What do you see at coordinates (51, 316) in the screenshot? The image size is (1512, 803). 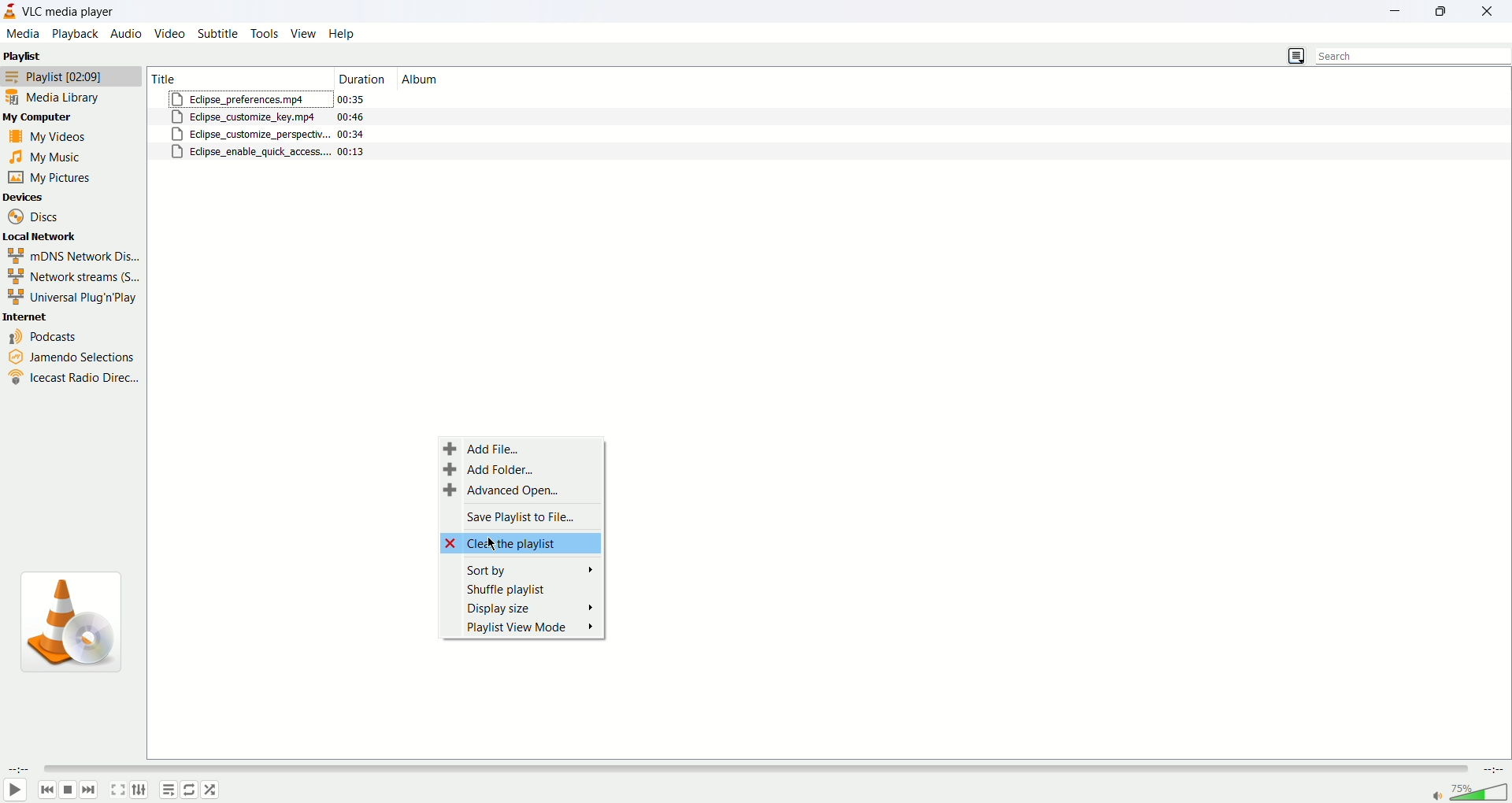 I see `internet` at bounding box center [51, 316].